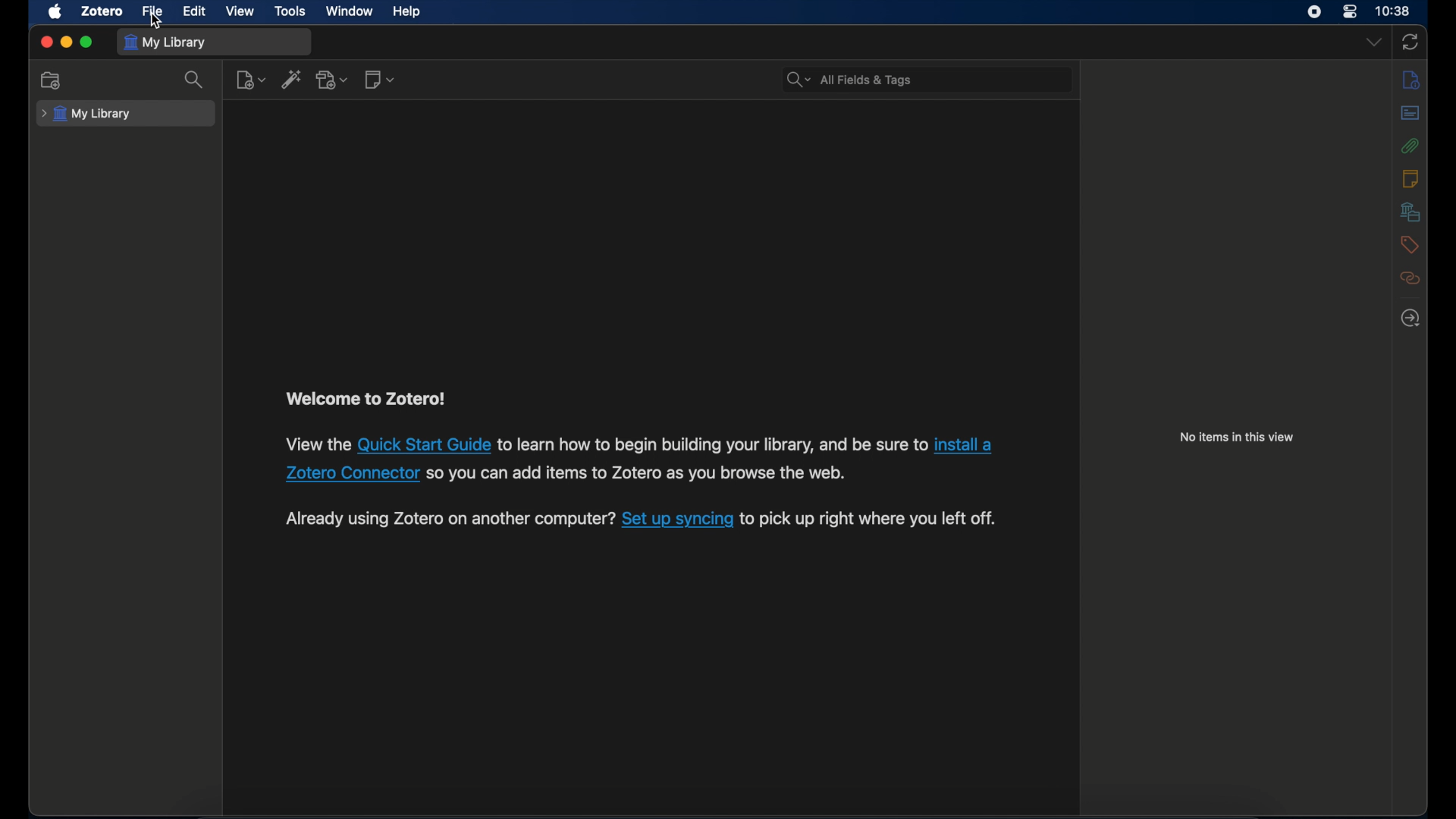  Describe the element at coordinates (86, 42) in the screenshot. I see `maximize` at that location.